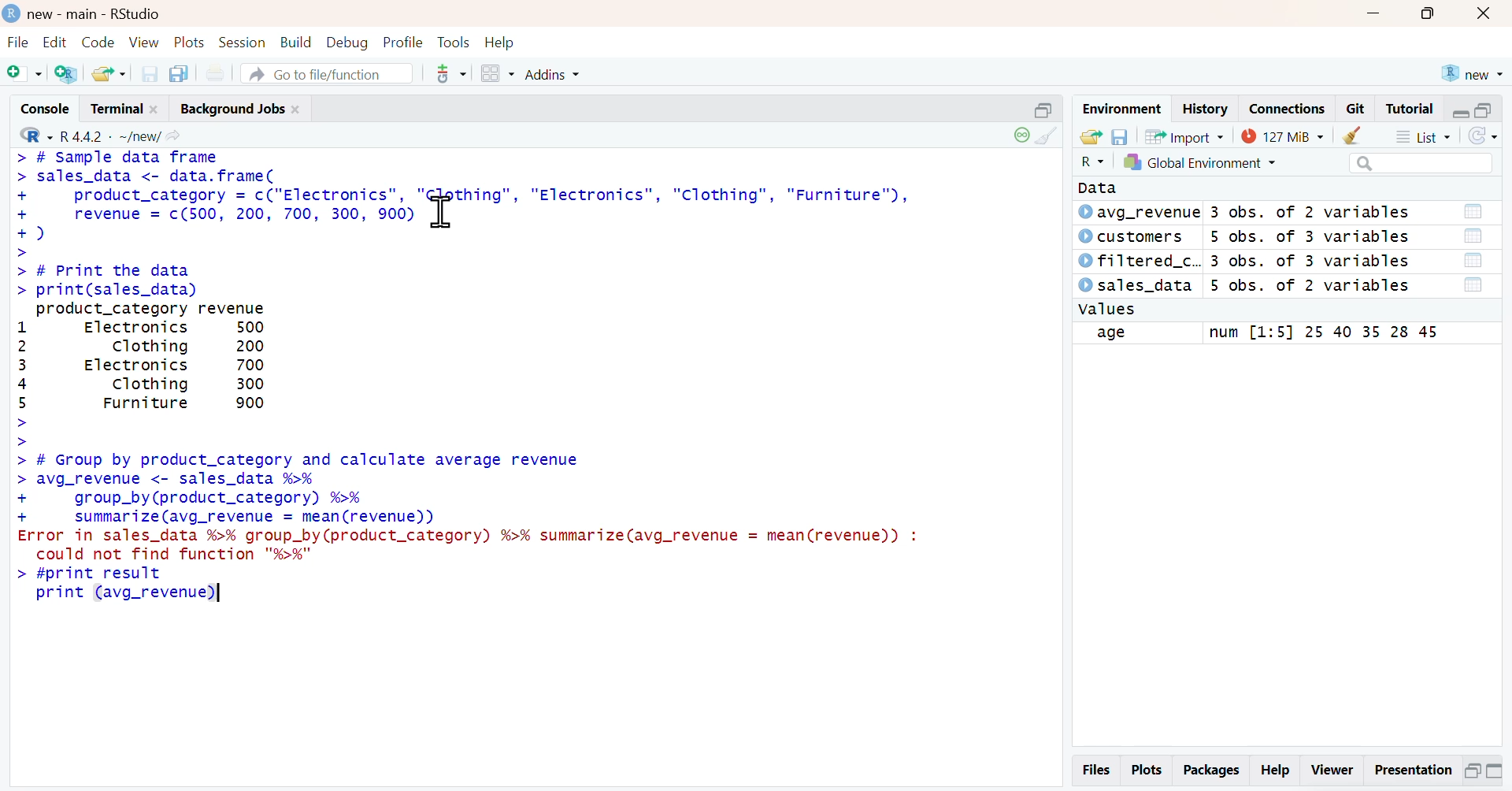 The width and height of the screenshot is (1512, 791). I want to click on Build, so click(298, 43).